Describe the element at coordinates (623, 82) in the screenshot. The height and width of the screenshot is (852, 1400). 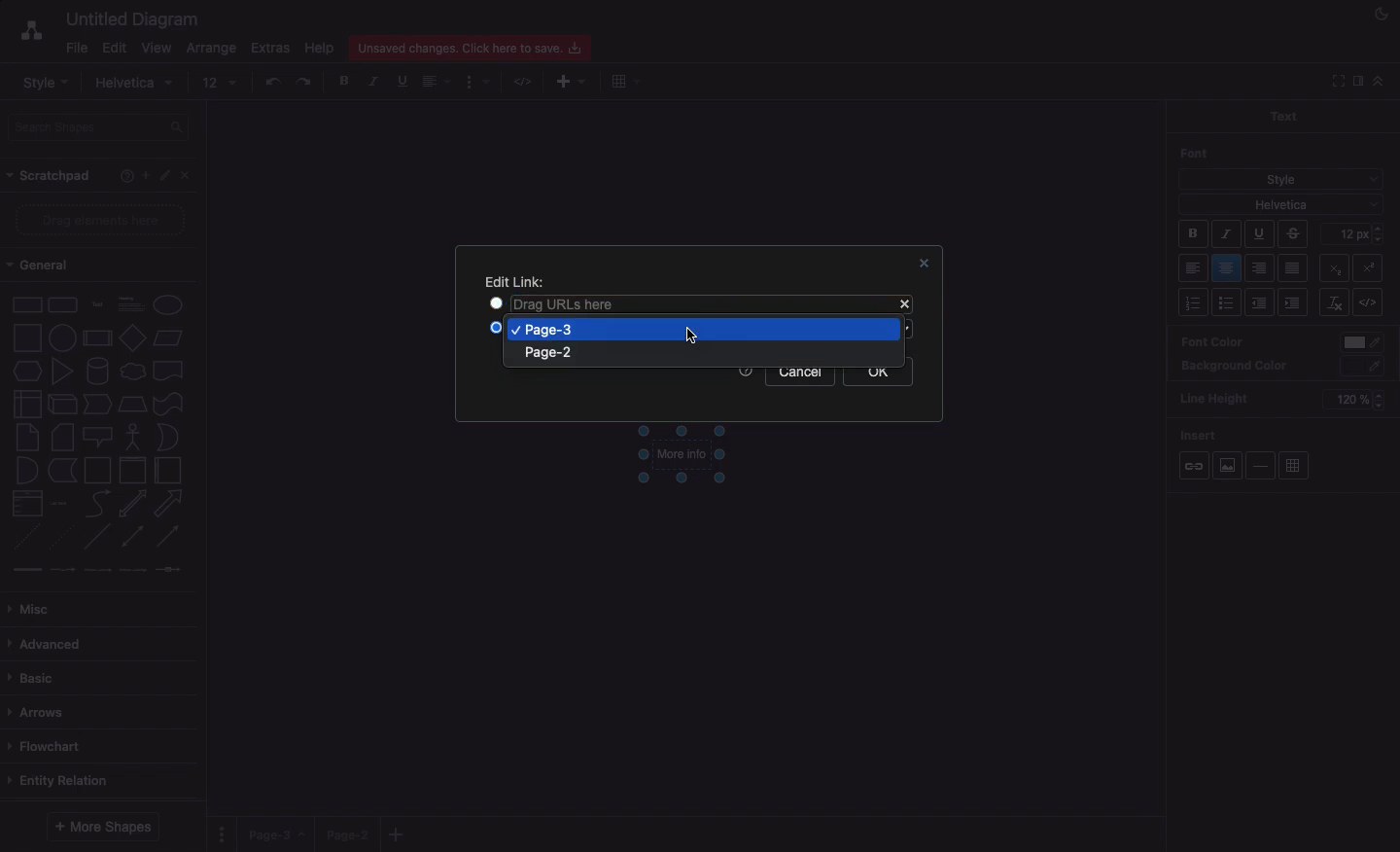
I see `Add` at that location.